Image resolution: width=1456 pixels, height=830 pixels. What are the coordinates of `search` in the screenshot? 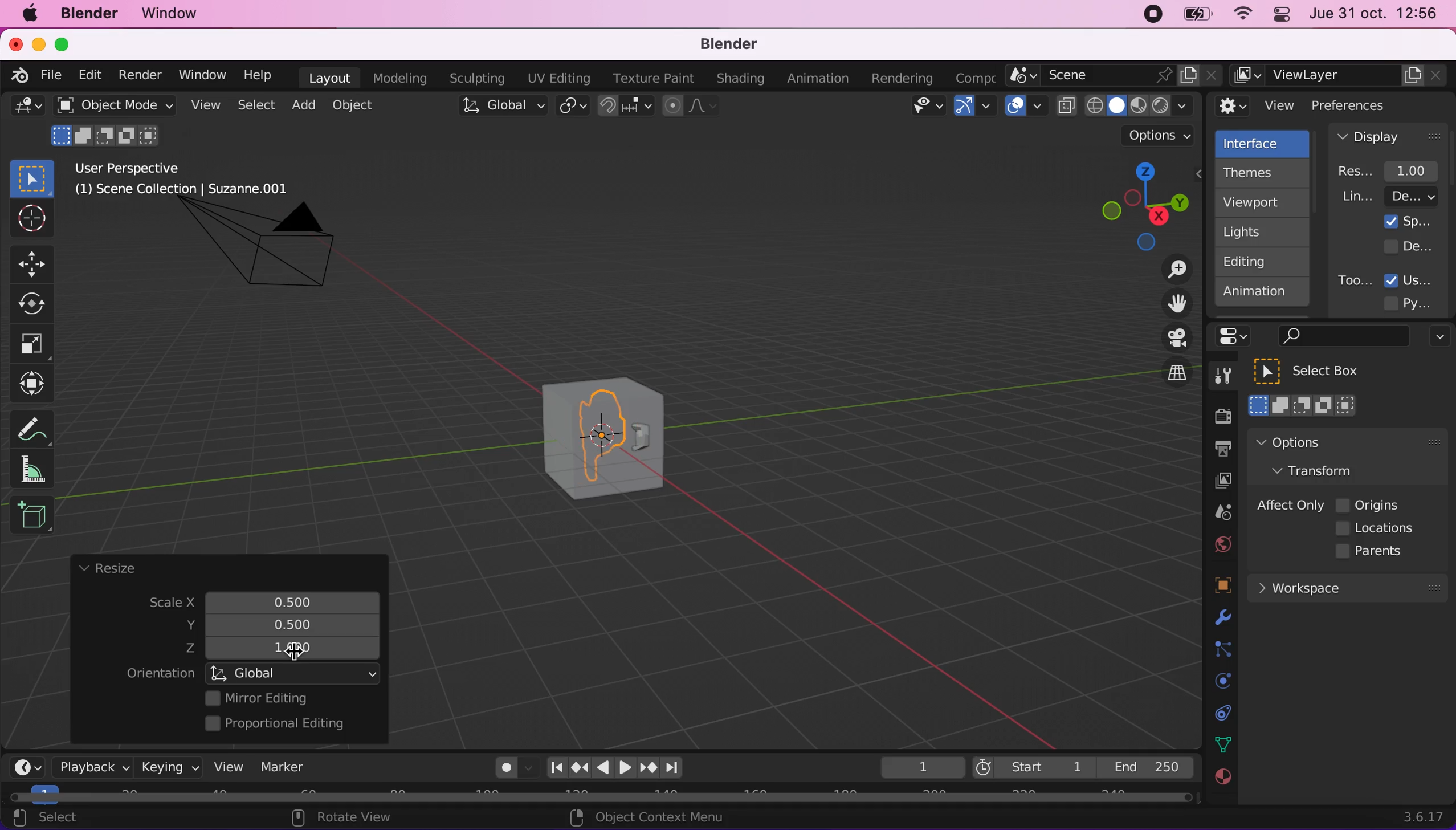 It's located at (1341, 337).